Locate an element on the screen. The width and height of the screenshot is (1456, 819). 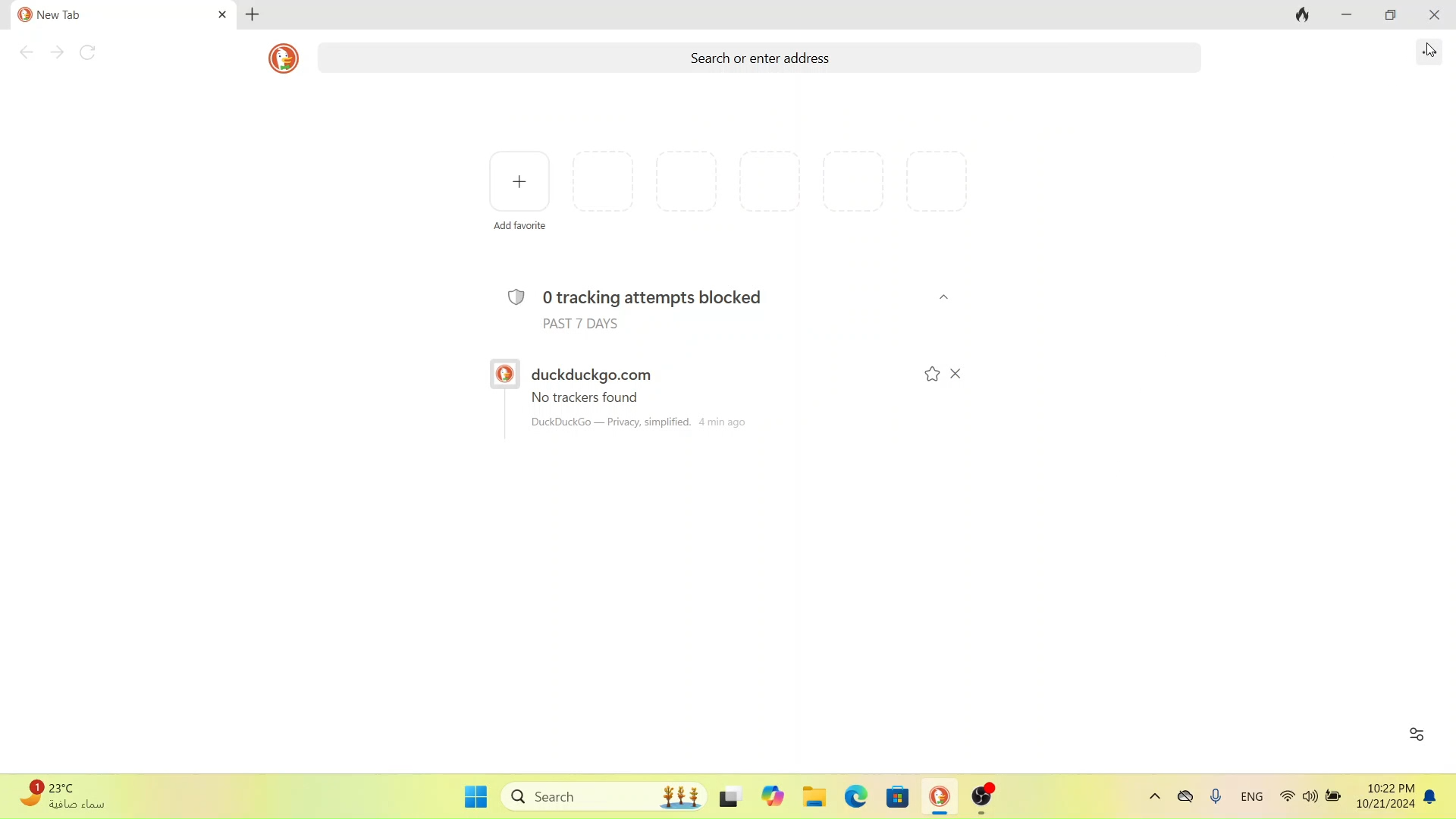
microsoft edge is located at coordinates (856, 798).